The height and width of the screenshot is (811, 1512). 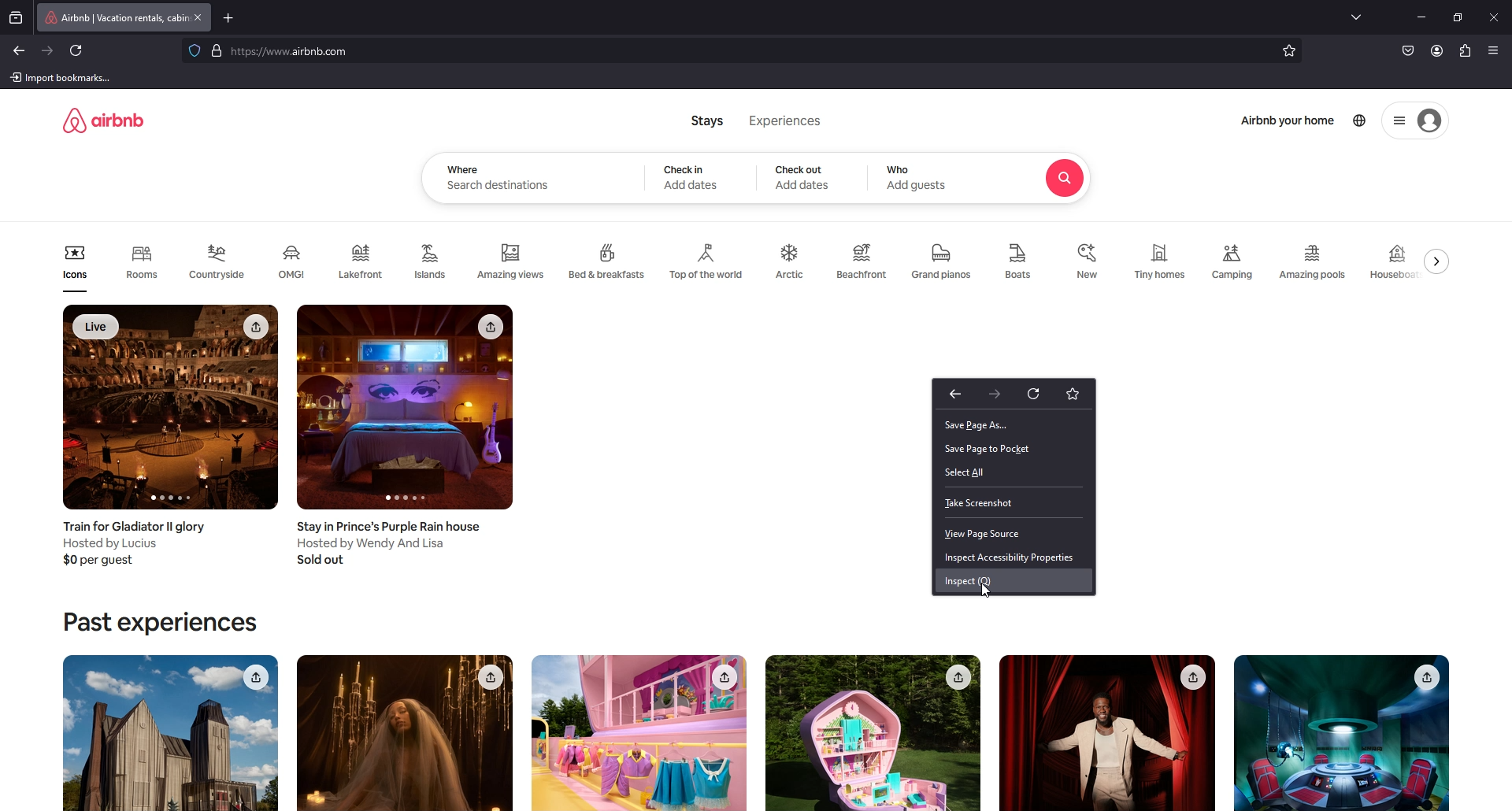 I want to click on world, so click(x=1361, y=120).